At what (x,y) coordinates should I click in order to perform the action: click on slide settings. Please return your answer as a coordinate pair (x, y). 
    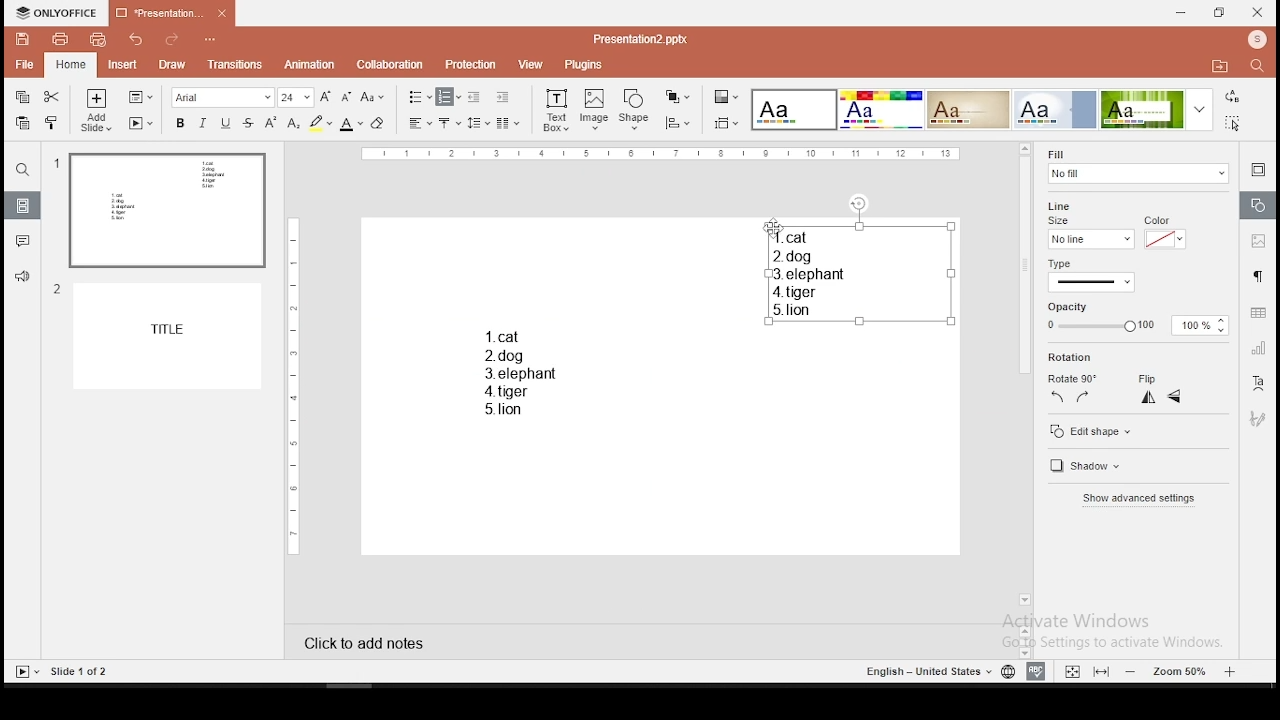
    Looking at the image, I should click on (1258, 172).